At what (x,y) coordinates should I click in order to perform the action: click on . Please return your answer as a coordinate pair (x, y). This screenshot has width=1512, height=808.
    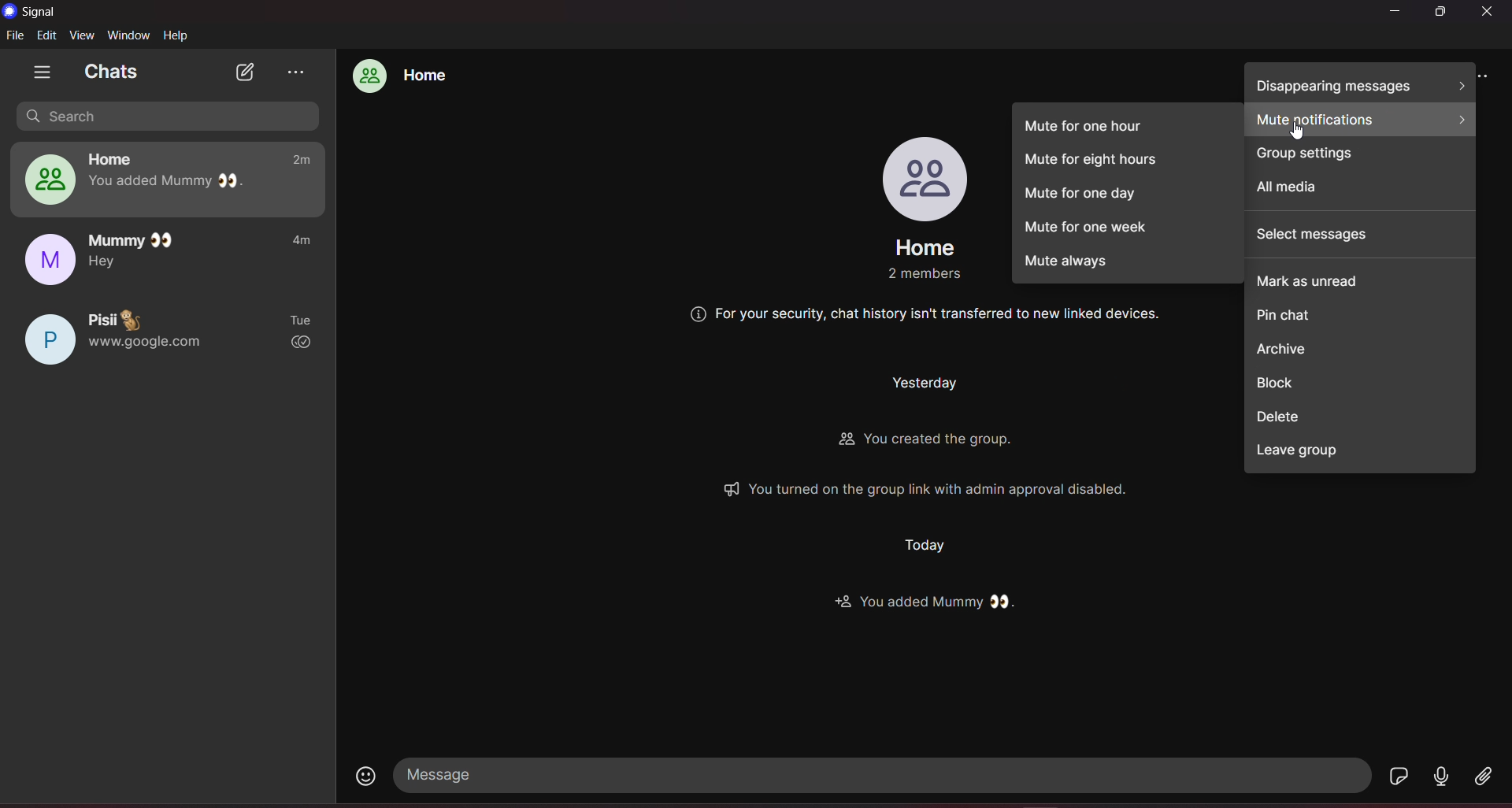
    Looking at the image, I should click on (926, 384).